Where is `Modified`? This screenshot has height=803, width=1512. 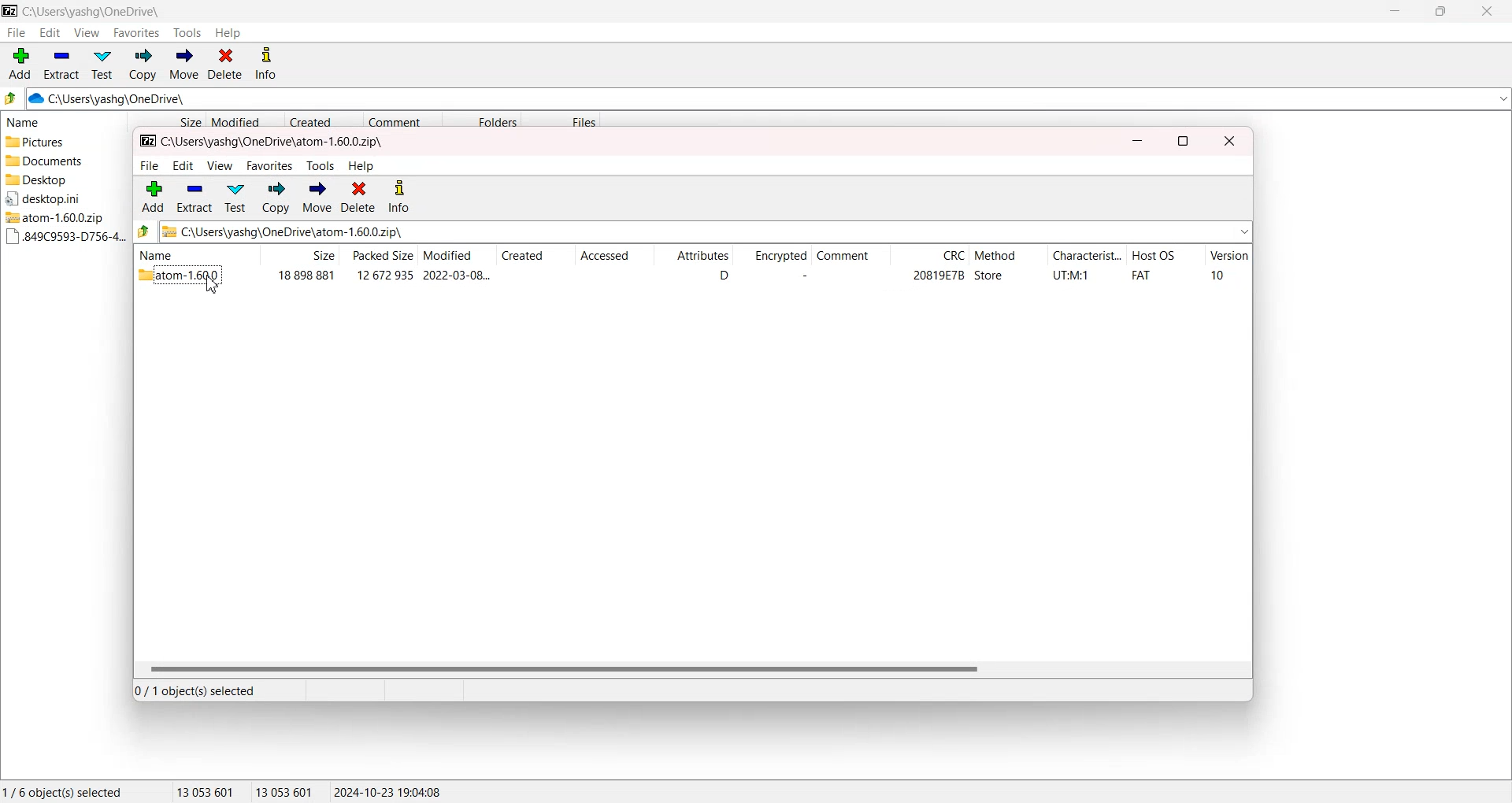 Modified is located at coordinates (455, 256).